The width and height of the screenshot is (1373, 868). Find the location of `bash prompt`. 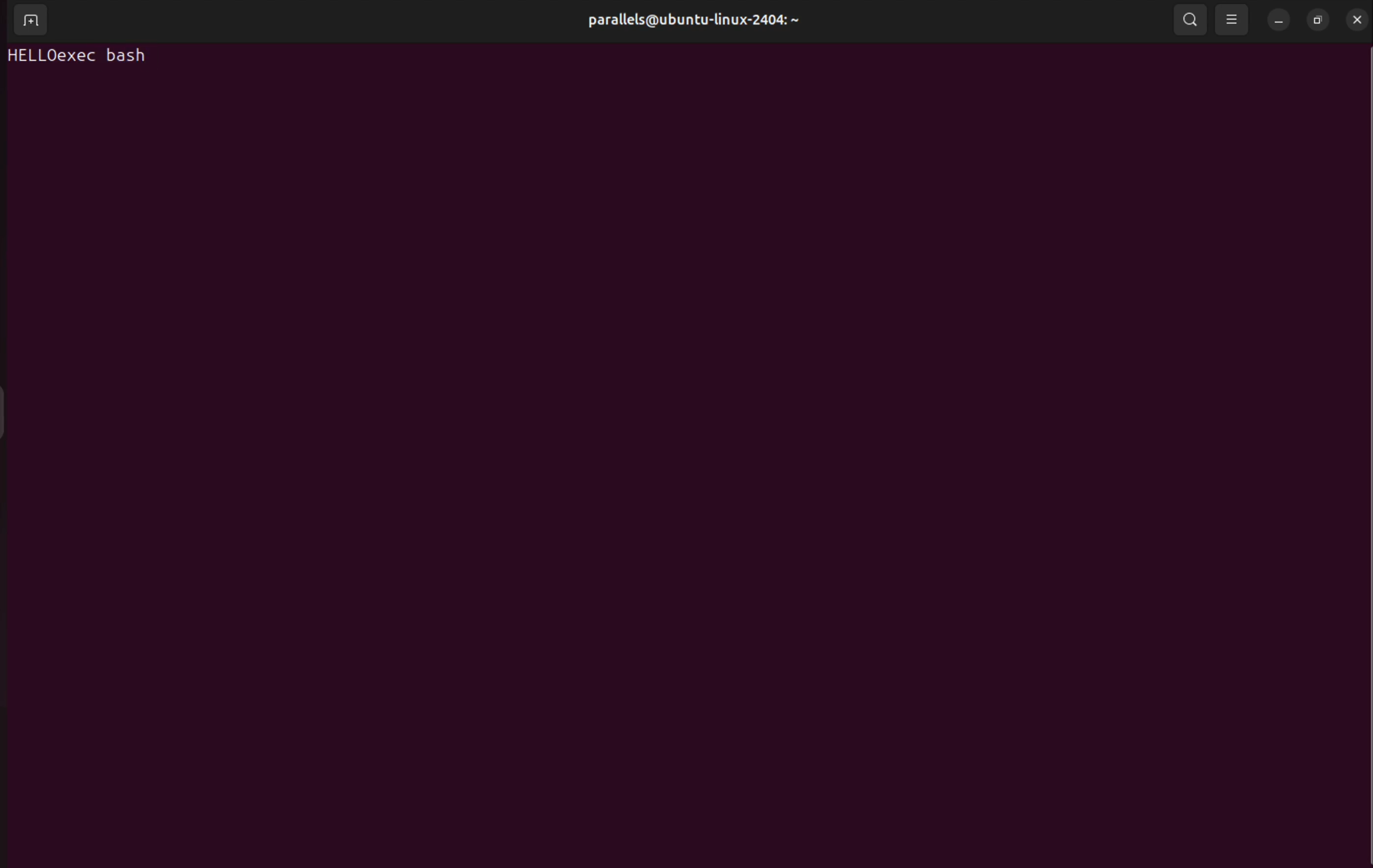

bash prompt is located at coordinates (30, 56).